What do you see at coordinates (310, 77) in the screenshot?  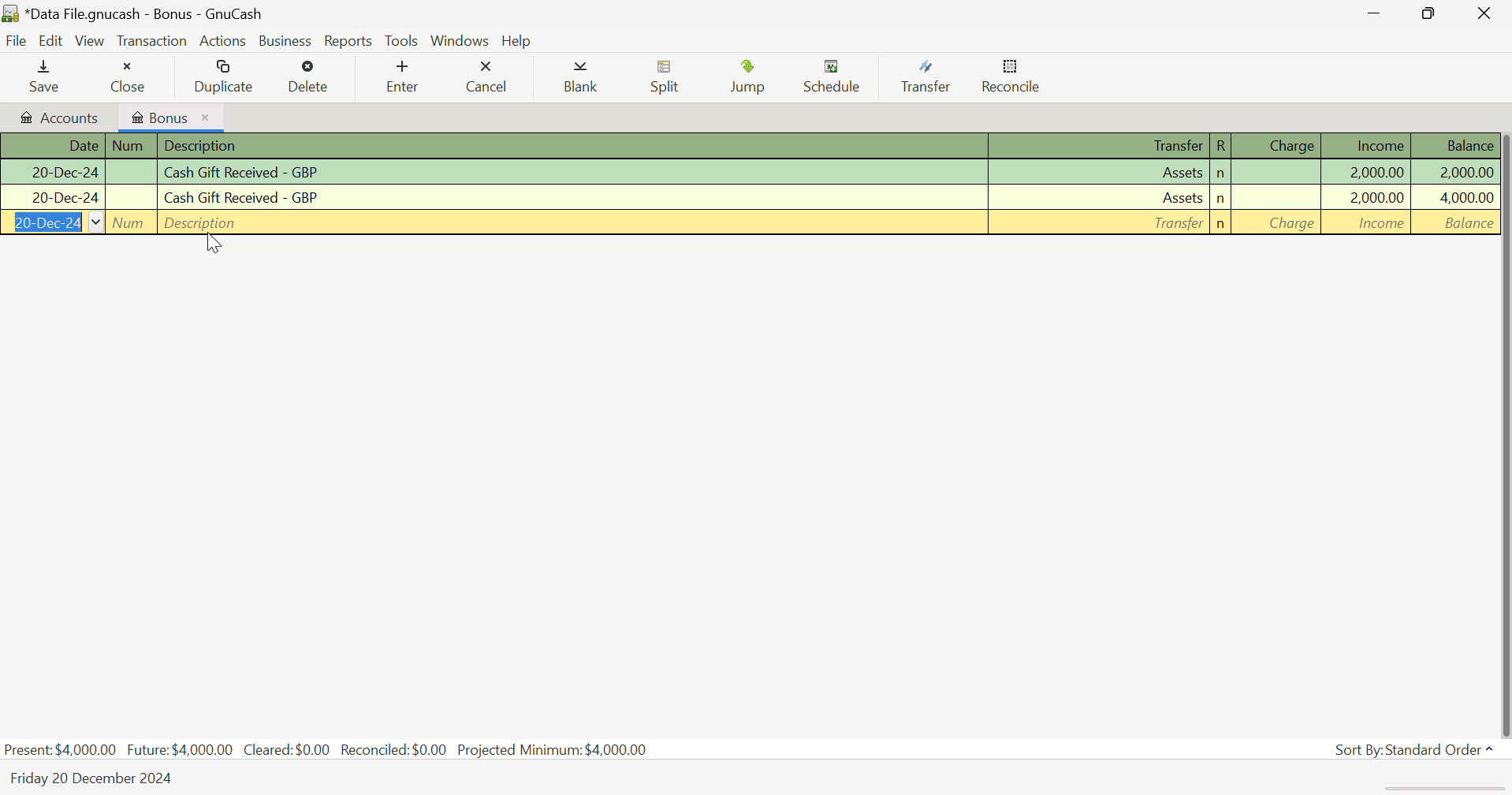 I see `Delete ` at bounding box center [310, 77].